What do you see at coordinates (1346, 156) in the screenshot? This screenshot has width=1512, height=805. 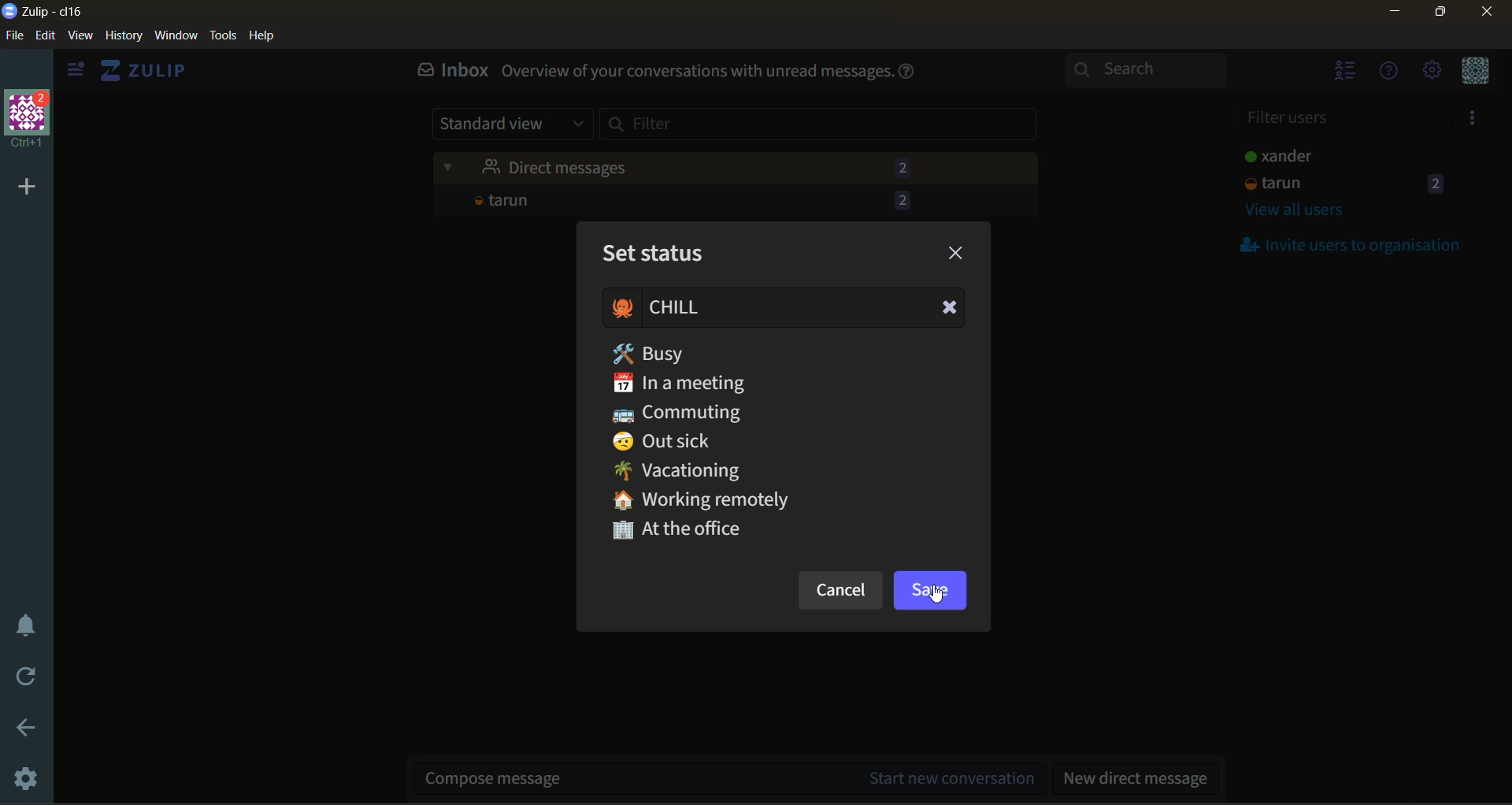 I see `users and staus` at bounding box center [1346, 156].